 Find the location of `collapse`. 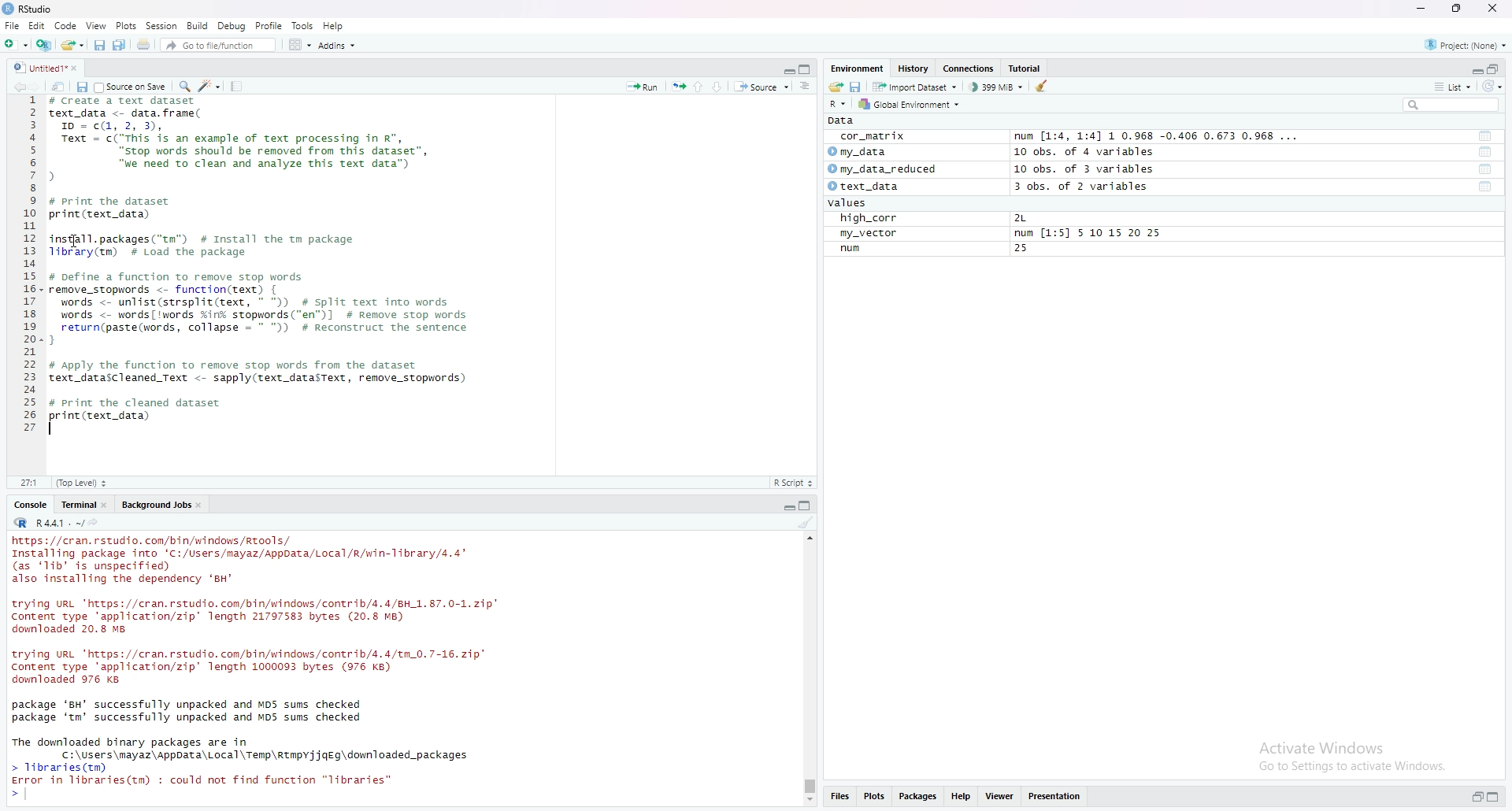

collapse is located at coordinates (1497, 69).